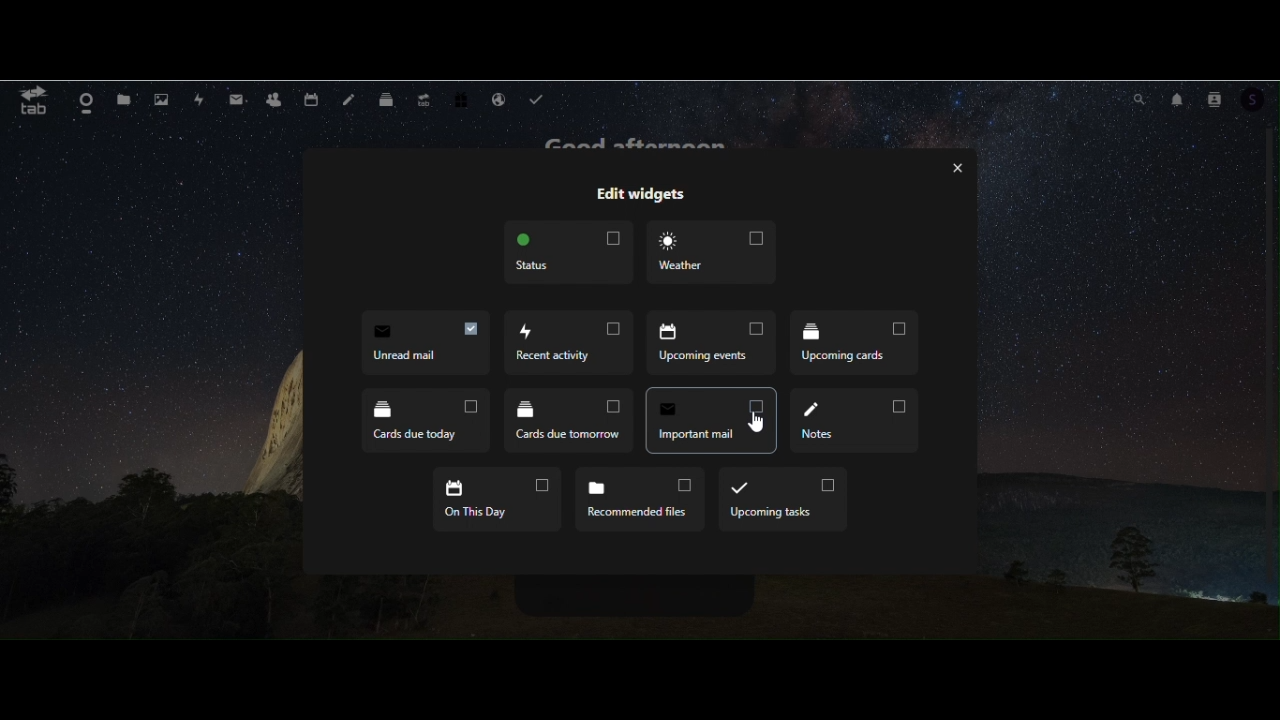 The image size is (1280, 720). What do you see at coordinates (203, 101) in the screenshot?
I see `activity` at bounding box center [203, 101].